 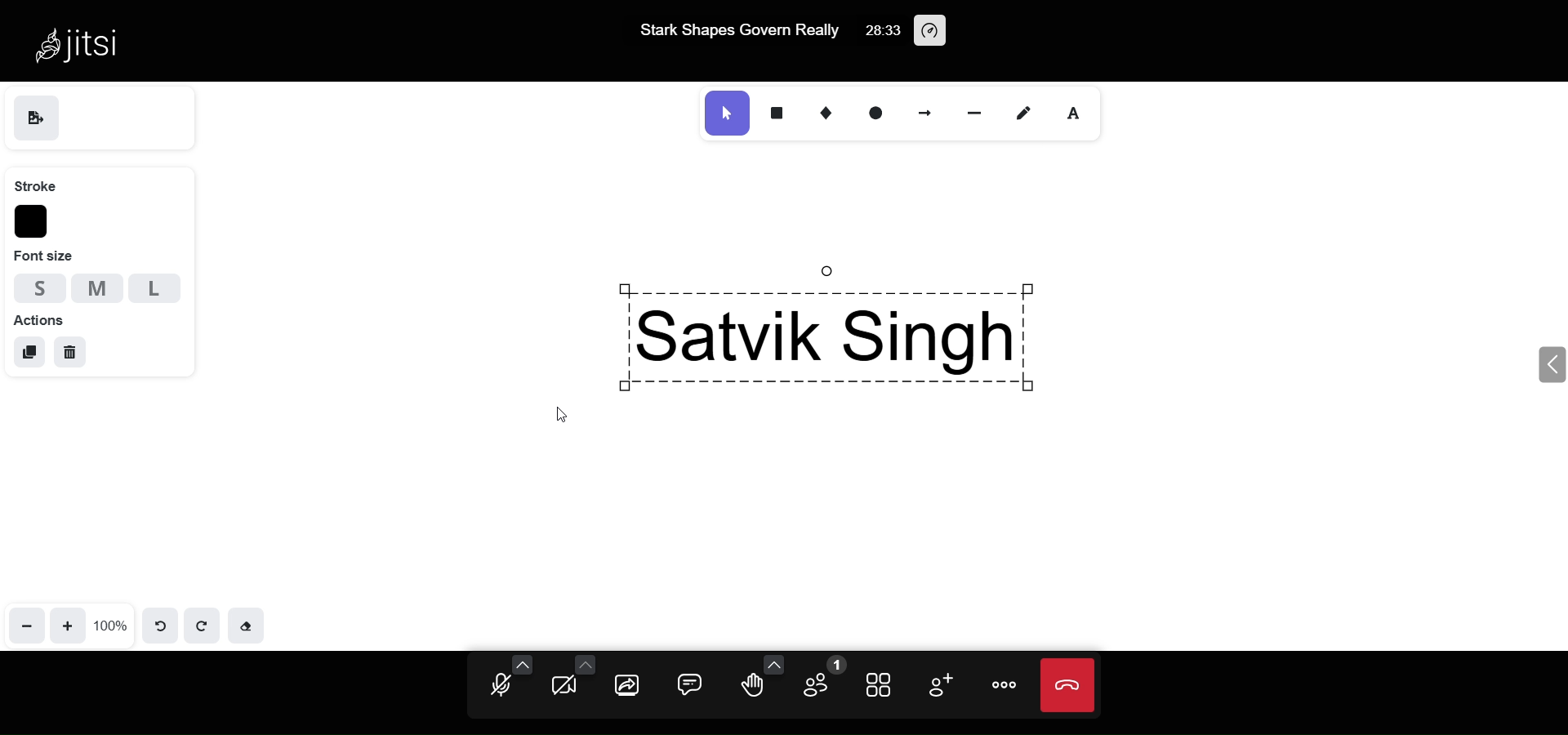 I want to click on raise hand, so click(x=753, y=689).